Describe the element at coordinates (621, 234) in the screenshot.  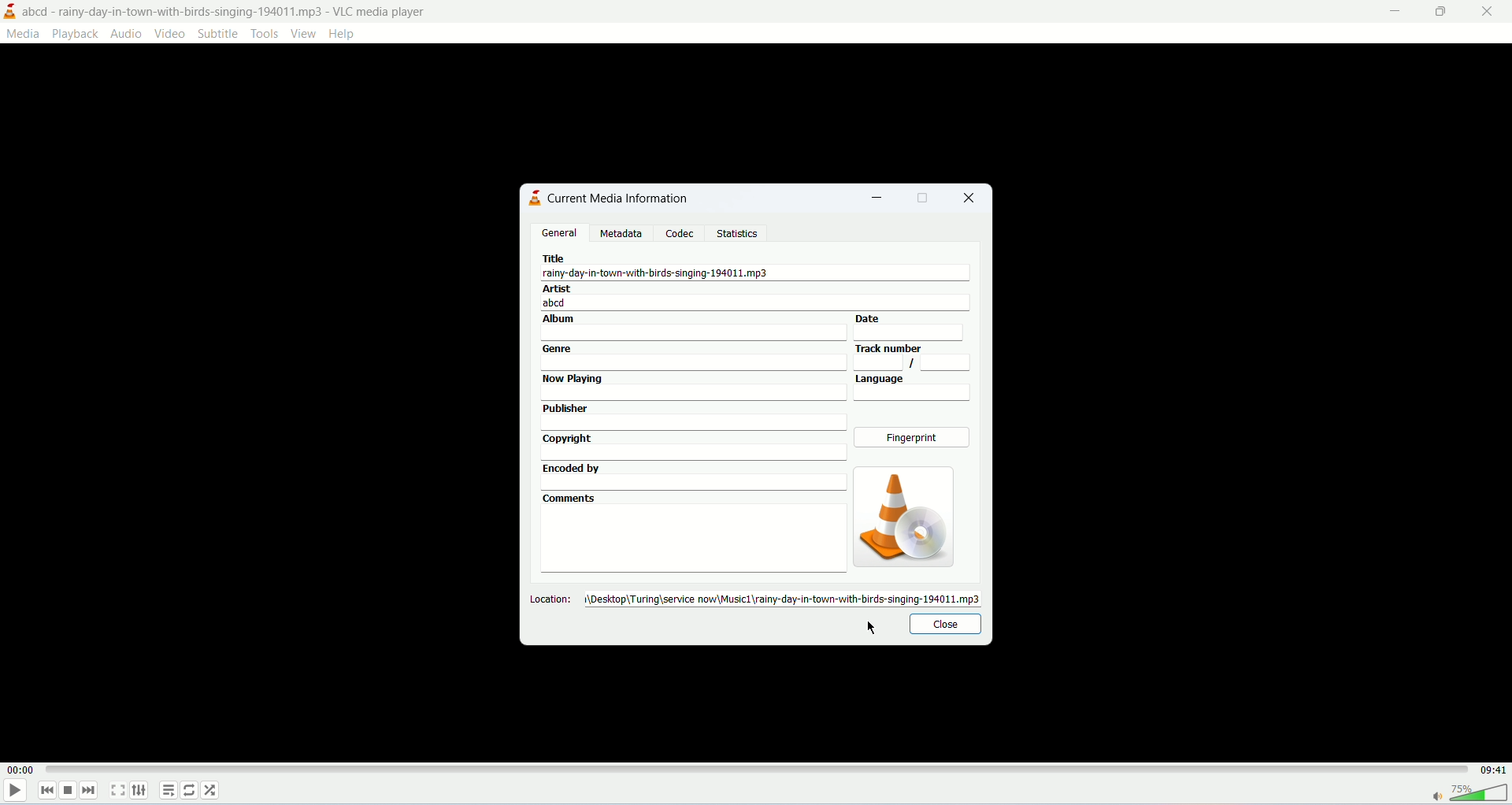
I see `metadata` at that location.